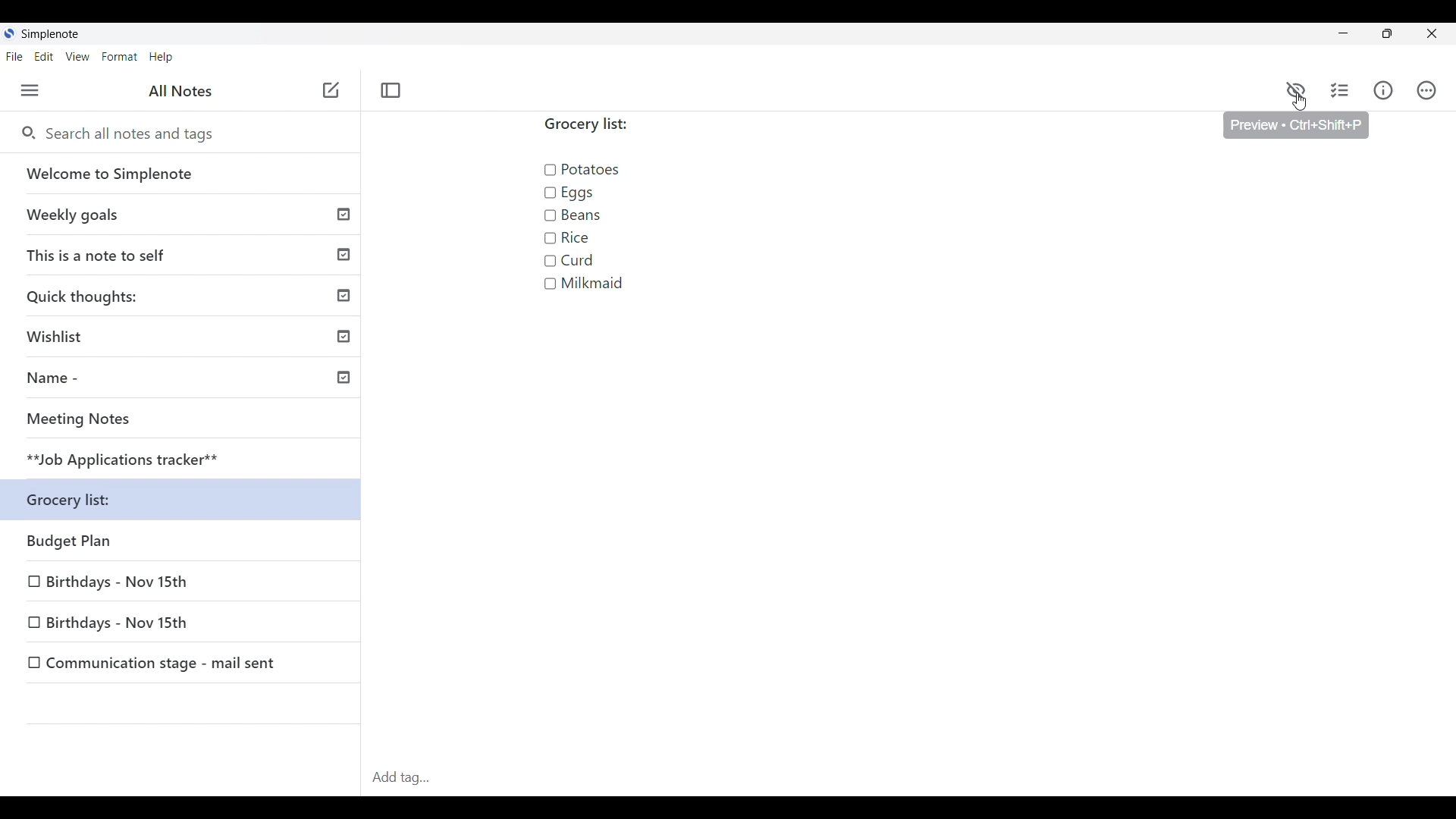  What do you see at coordinates (1296, 89) in the screenshot?
I see `Indicates markdown preview toggle is on` at bounding box center [1296, 89].